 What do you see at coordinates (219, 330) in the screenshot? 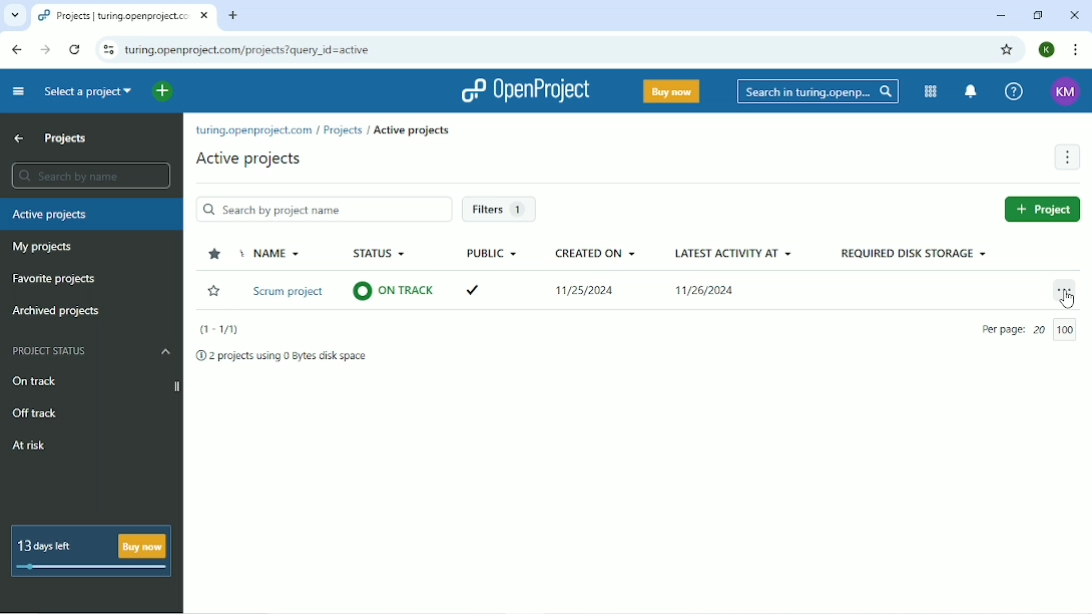
I see `(T-1/1)` at bounding box center [219, 330].